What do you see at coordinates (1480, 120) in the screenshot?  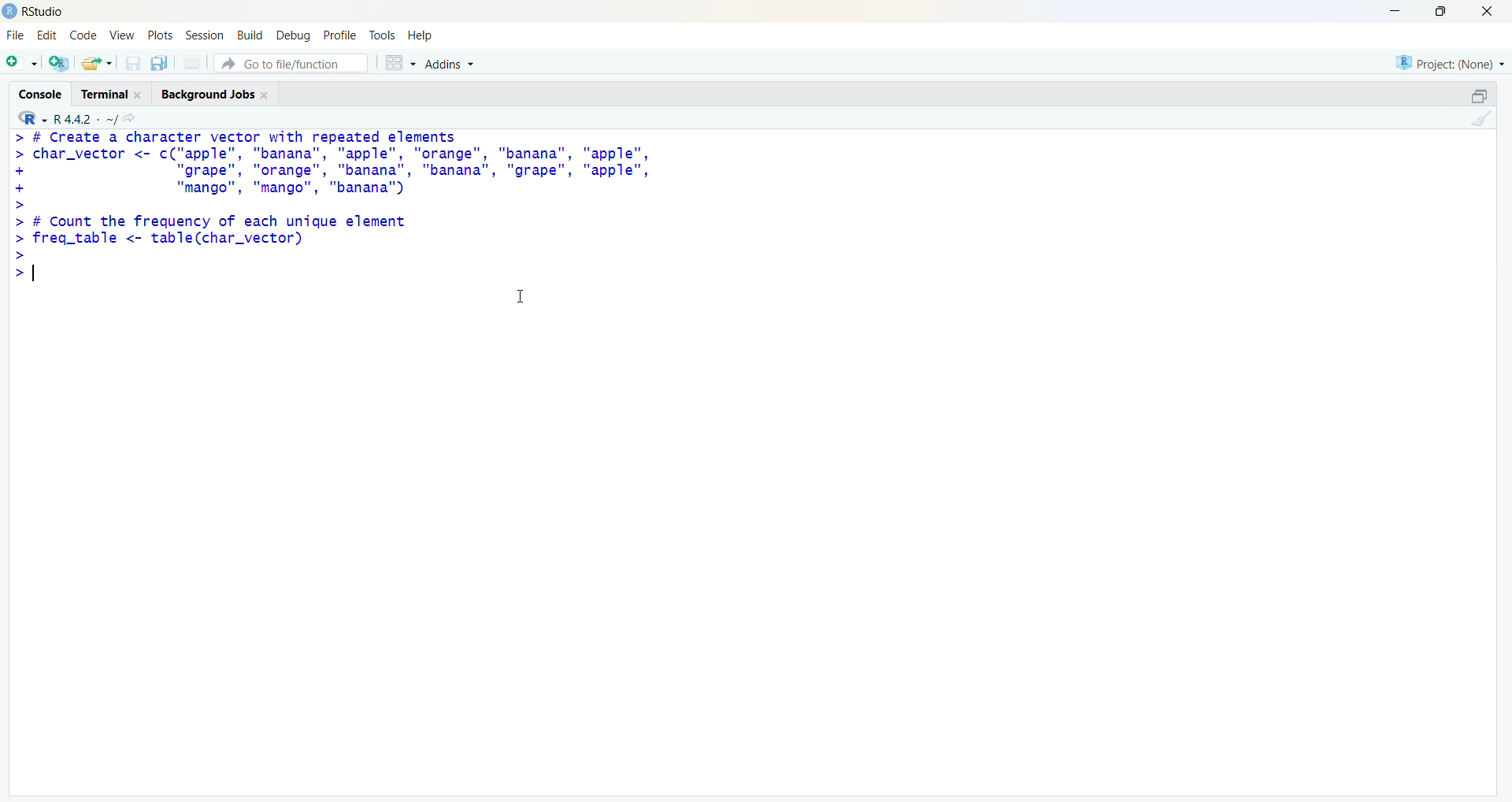 I see `Clear console` at bounding box center [1480, 120].